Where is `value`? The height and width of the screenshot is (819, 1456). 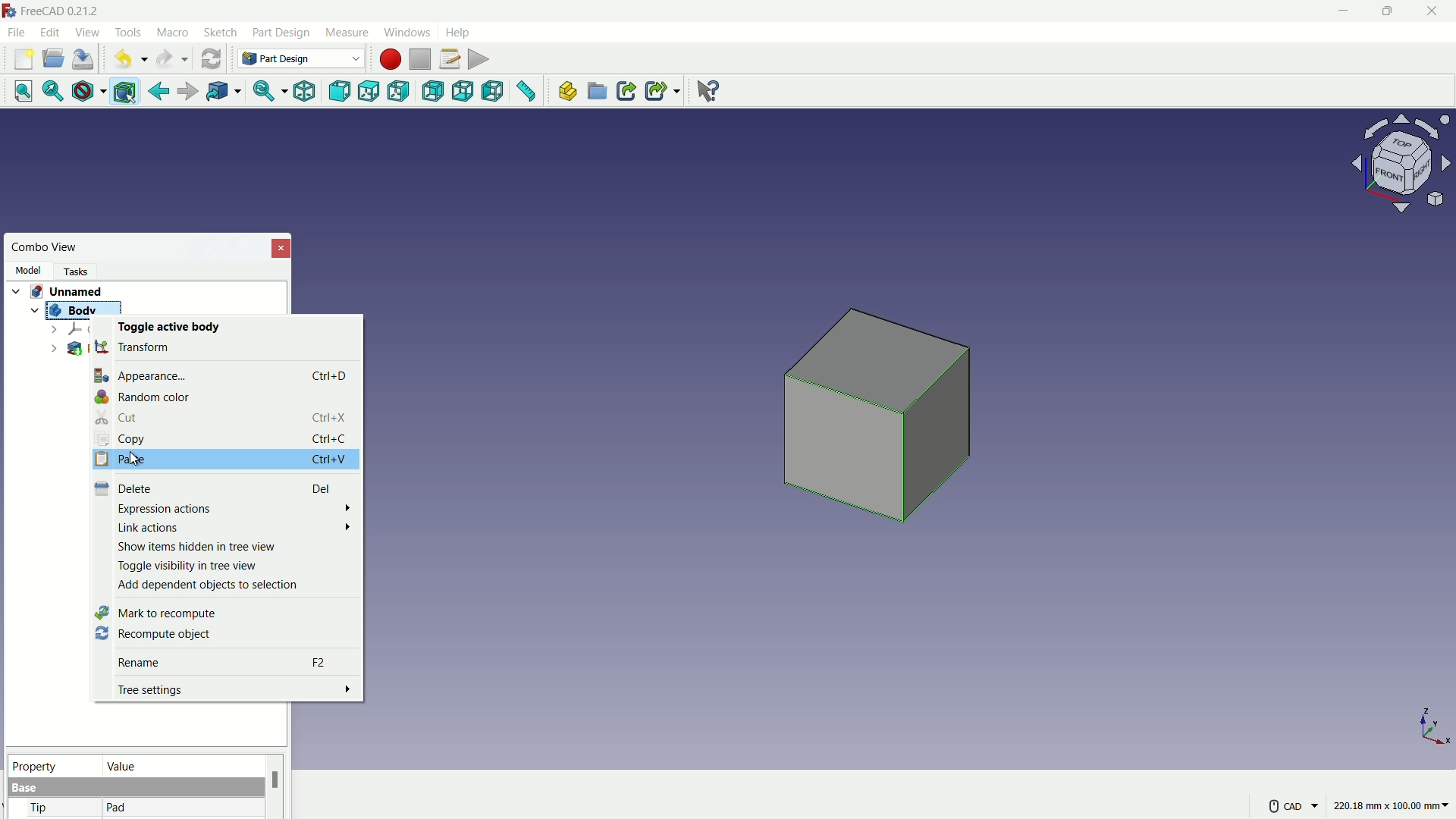 value is located at coordinates (180, 765).